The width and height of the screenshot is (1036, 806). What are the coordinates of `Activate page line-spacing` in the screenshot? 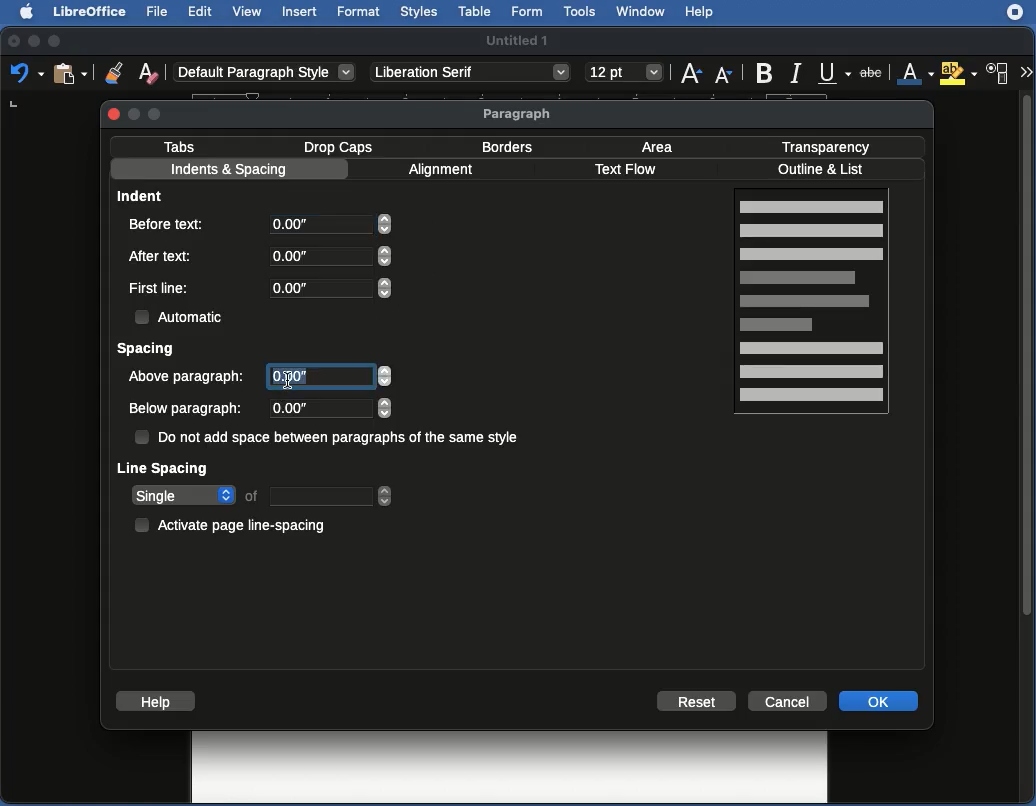 It's located at (234, 522).